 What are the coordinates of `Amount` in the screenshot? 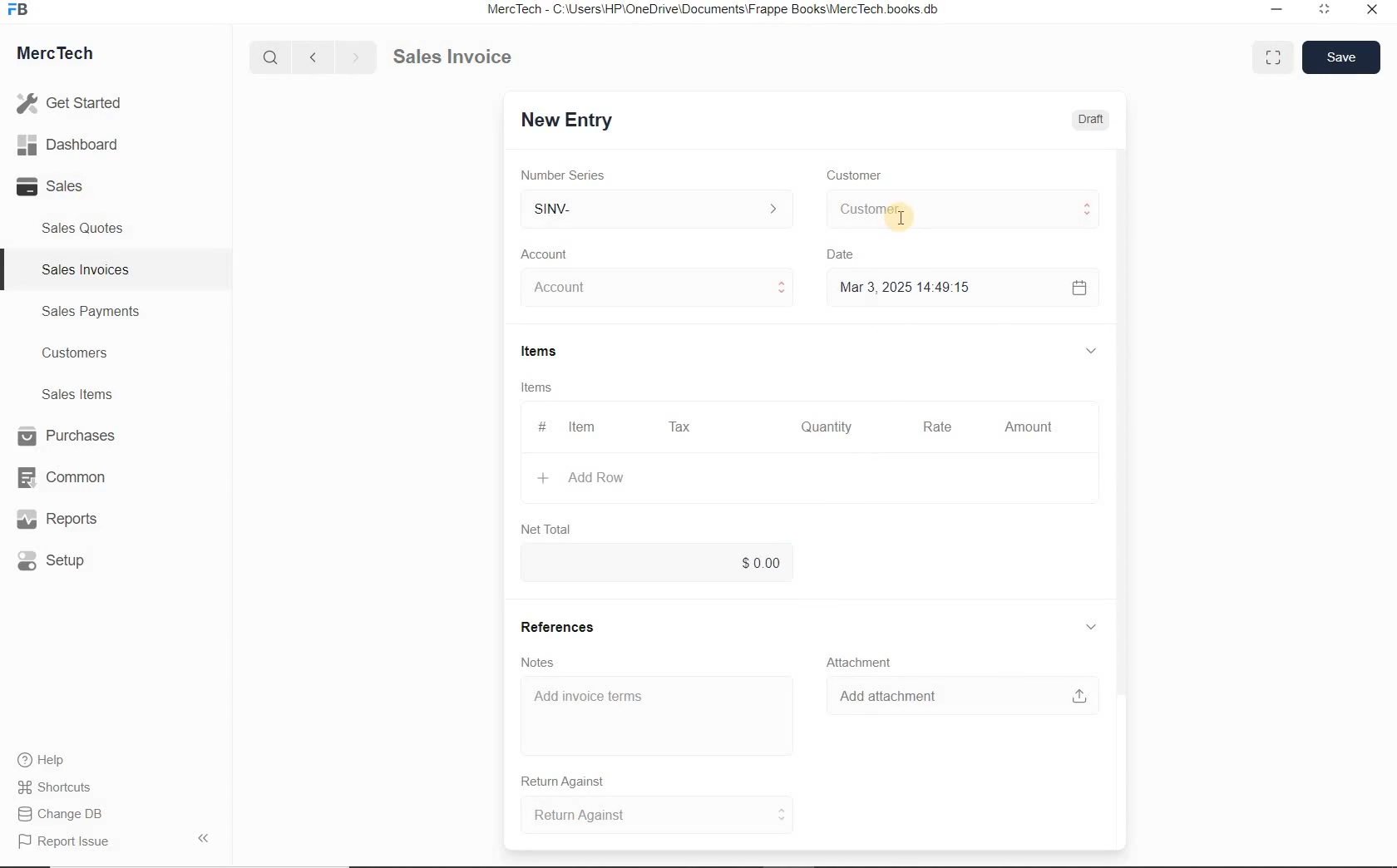 It's located at (1028, 428).